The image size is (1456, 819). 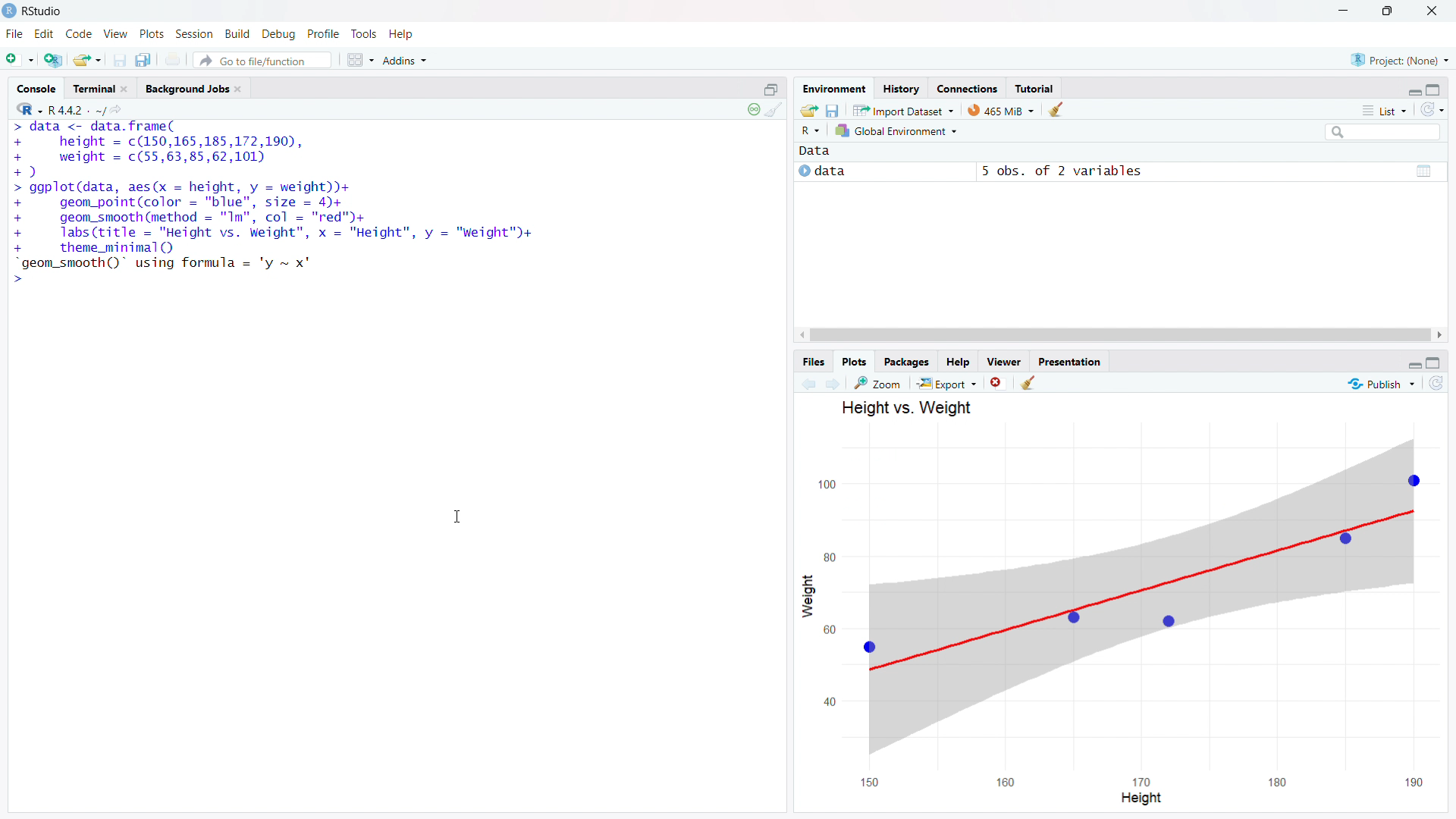 What do you see at coordinates (1436, 88) in the screenshot?
I see `expand pane` at bounding box center [1436, 88].